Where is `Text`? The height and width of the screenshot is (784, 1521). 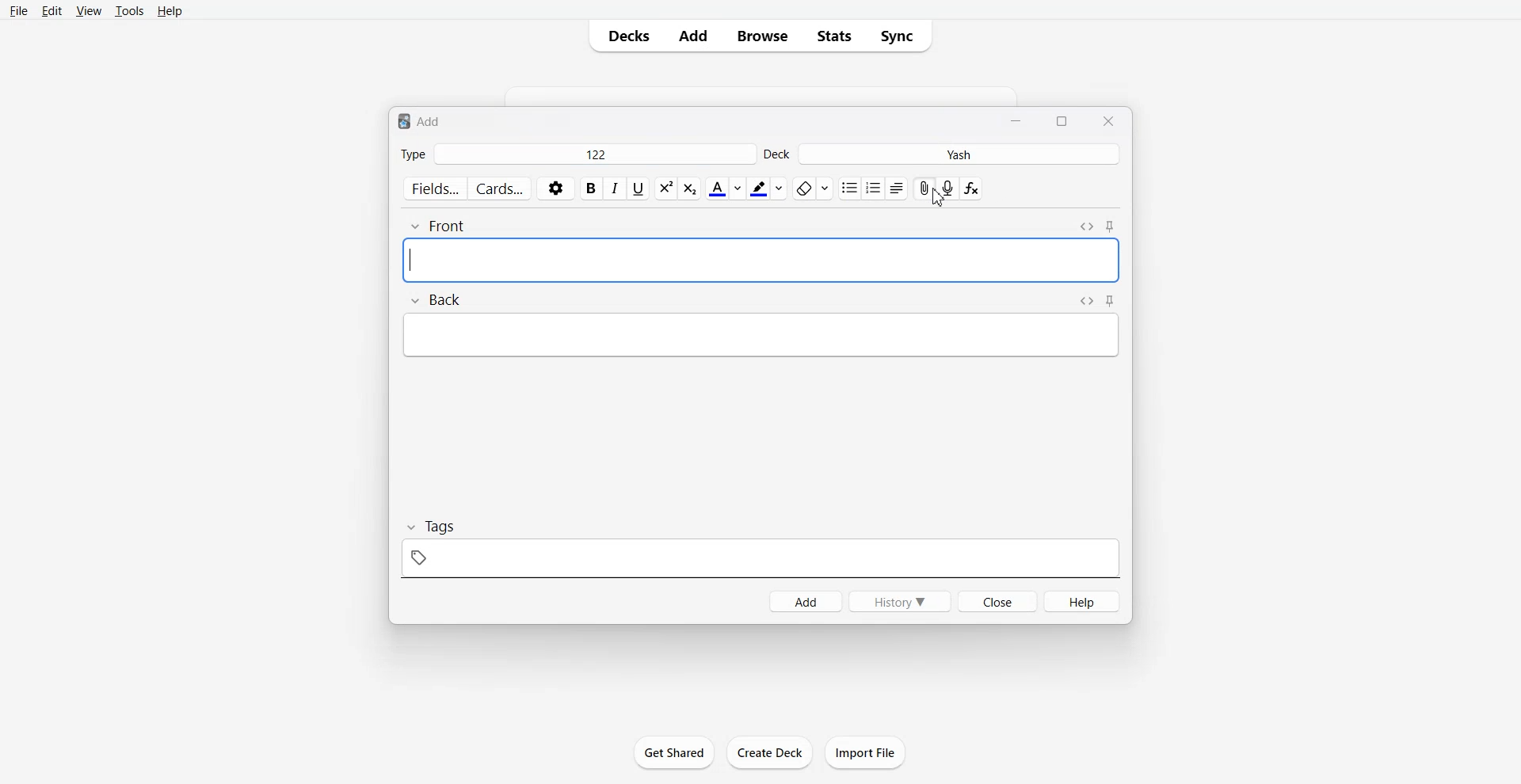
Text is located at coordinates (422, 120).